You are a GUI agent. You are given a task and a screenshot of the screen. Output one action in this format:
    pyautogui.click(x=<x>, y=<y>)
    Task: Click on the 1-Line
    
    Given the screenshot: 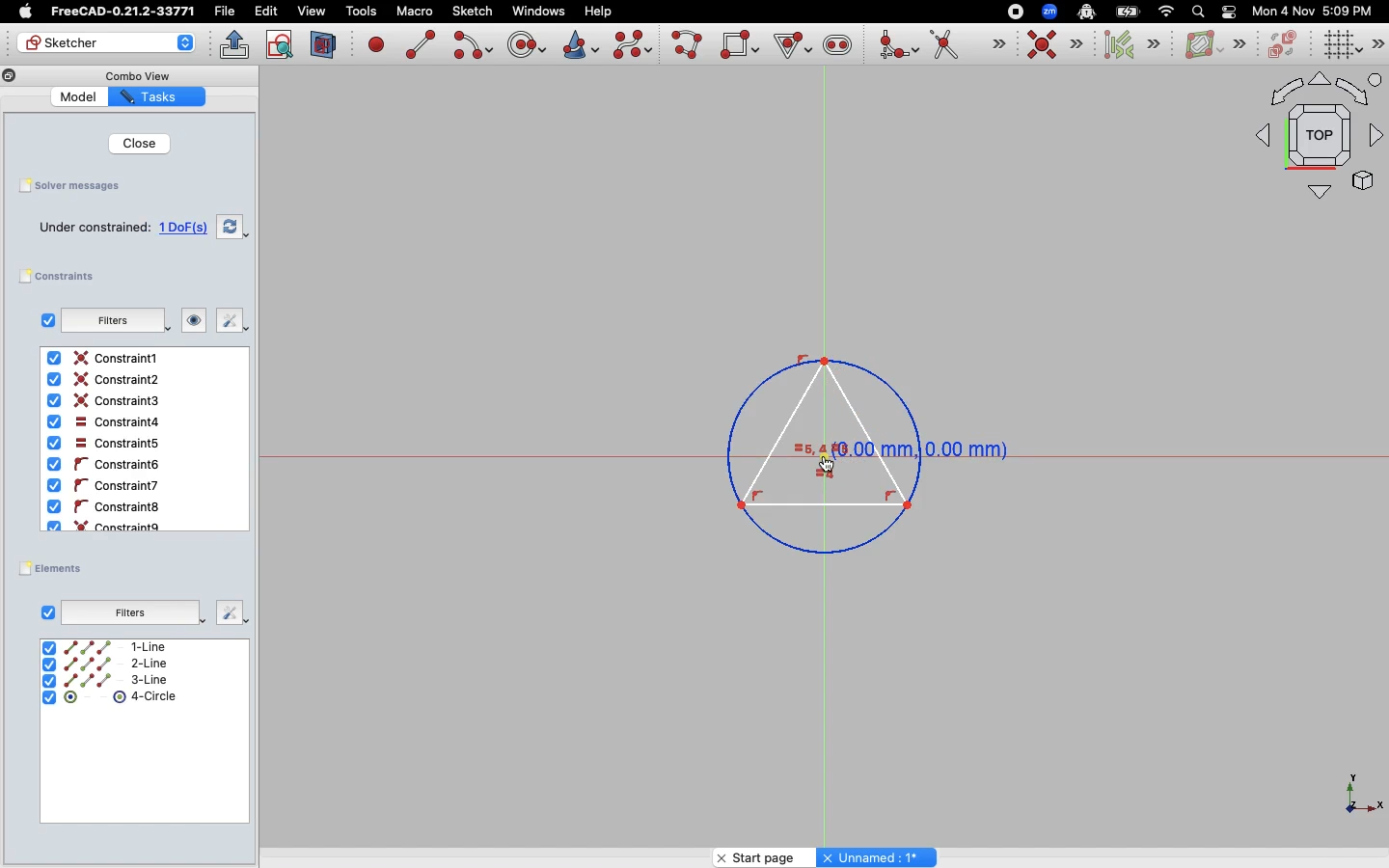 What is the action you would take?
    pyautogui.click(x=114, y=647)
    